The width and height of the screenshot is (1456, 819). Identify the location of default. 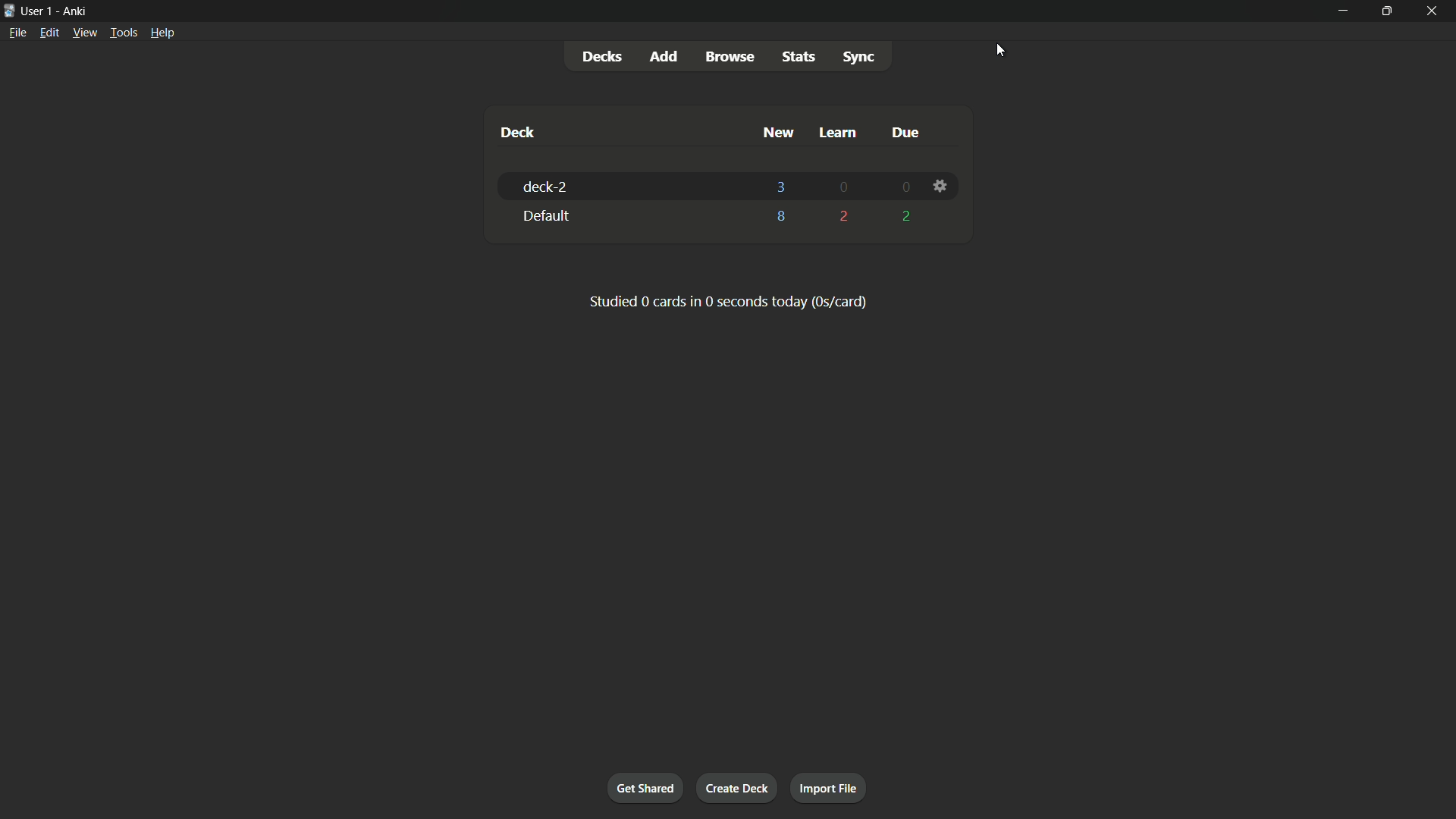
(544, 216).